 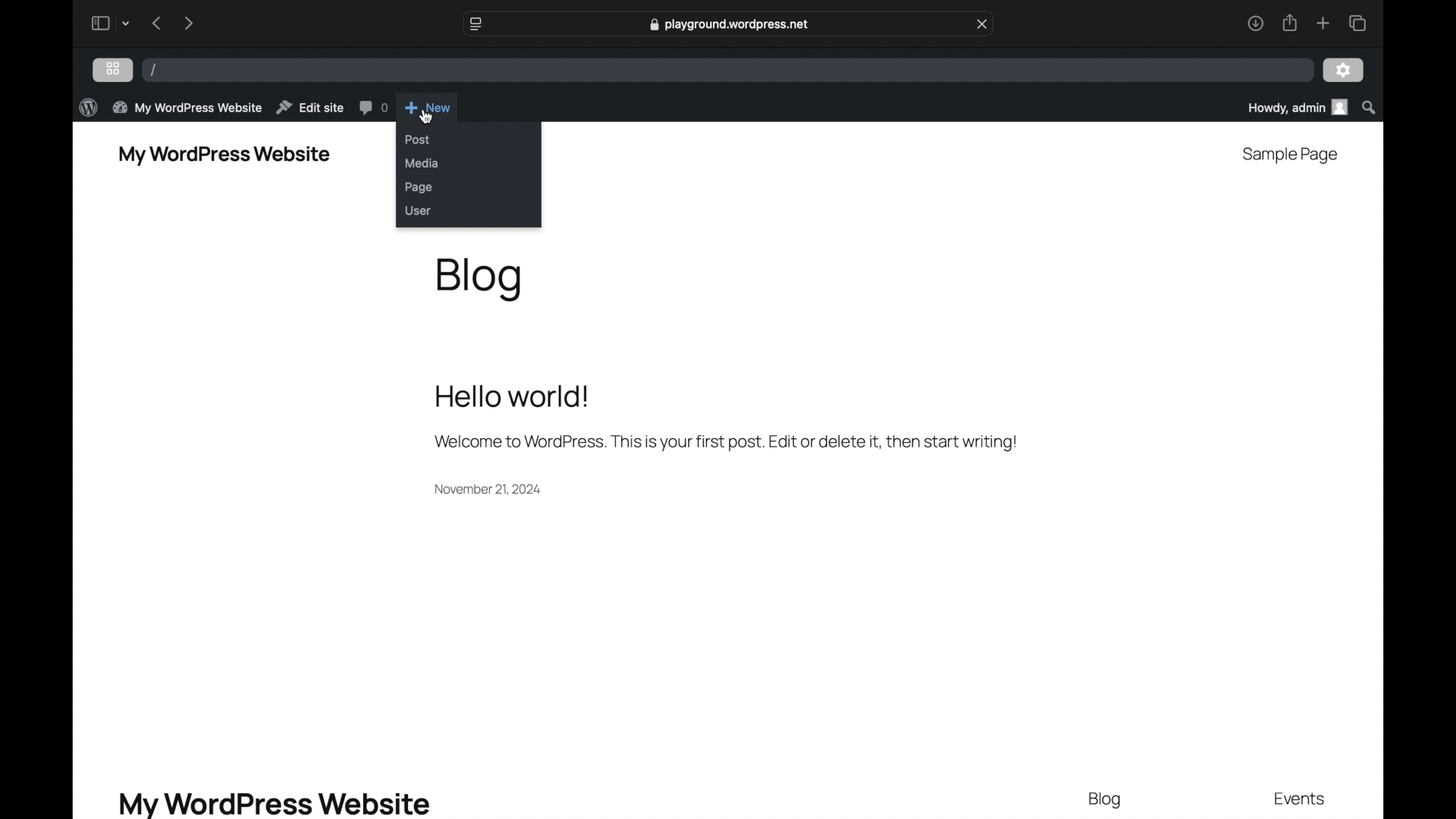 I want to click on downloads, so click(x=1255, y=24).